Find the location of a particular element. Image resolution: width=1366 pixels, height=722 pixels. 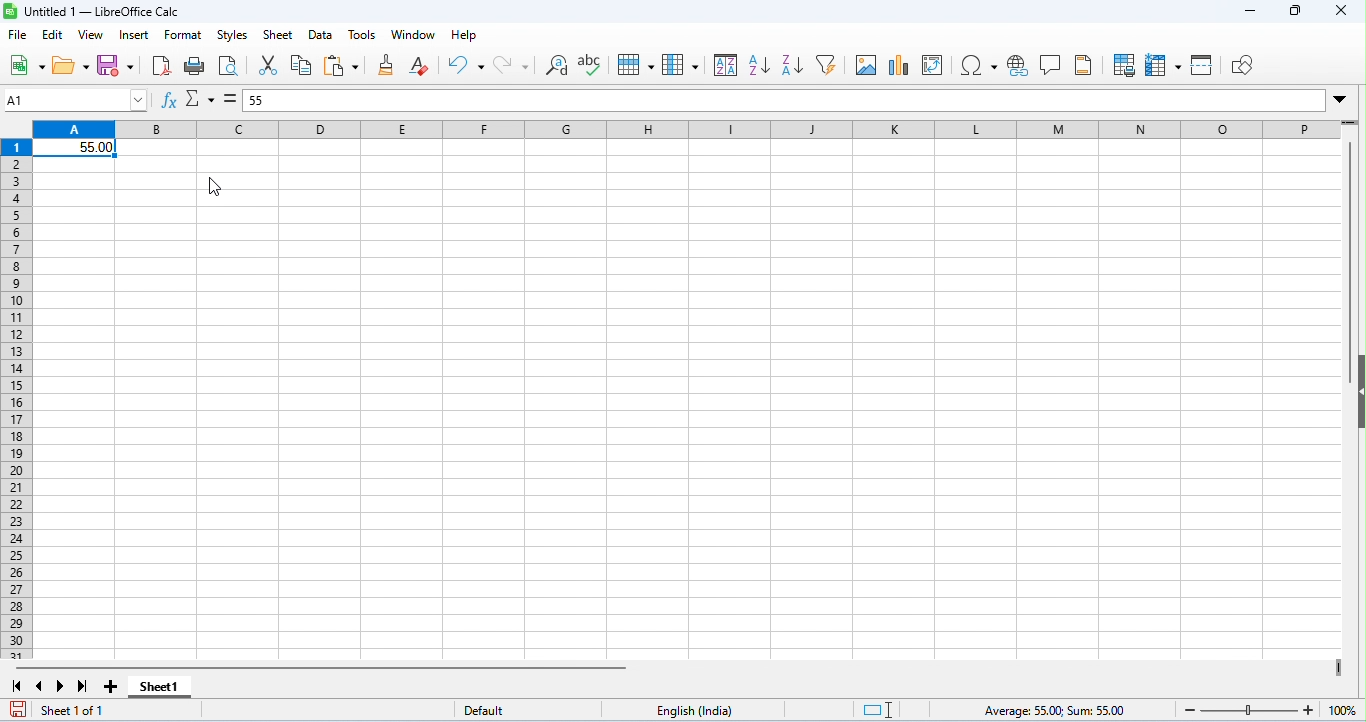

clear direct formatting is located at coordinates (421, 65).